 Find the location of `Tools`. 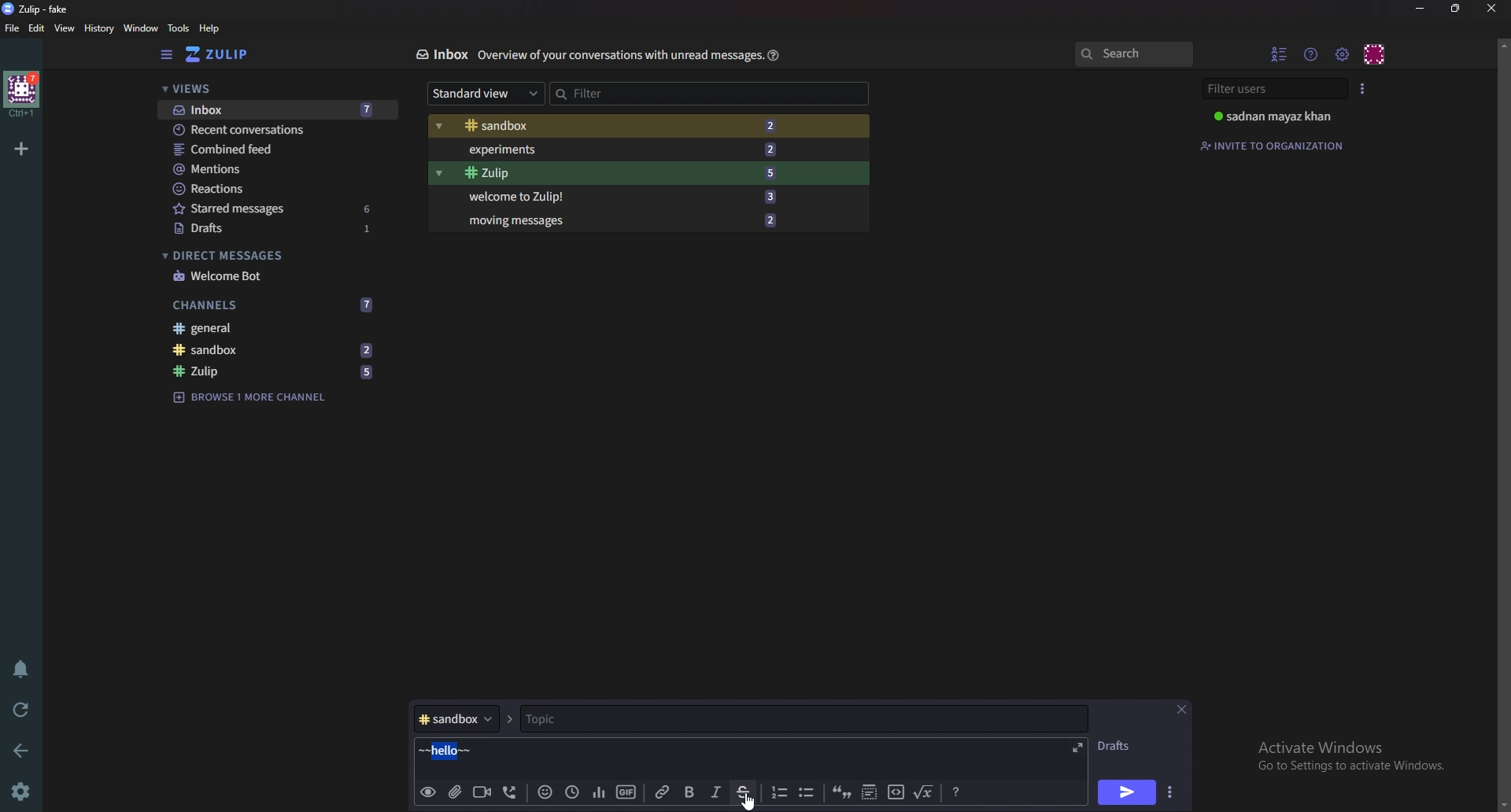

Tools is located at coordinates (179, 28).